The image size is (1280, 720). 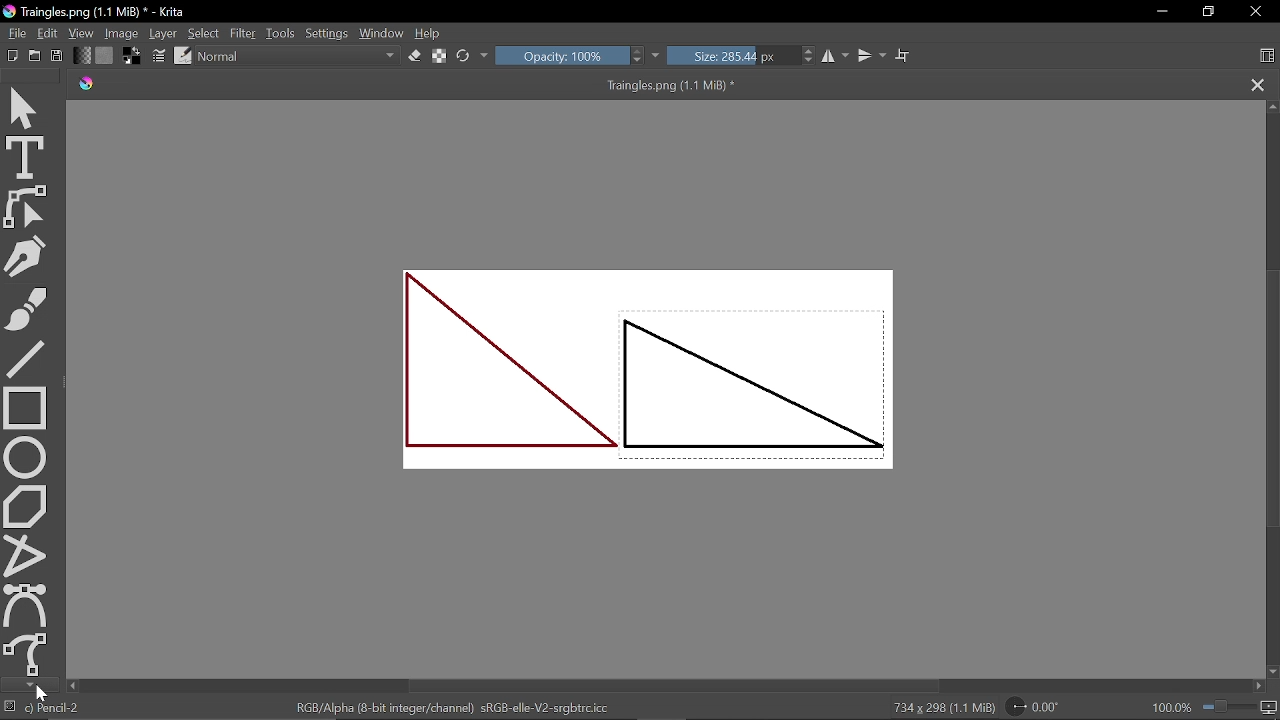 What do you see at coordinates (105, 56) in the screenshot?
I see `Fill pattern` at bounding box center [105, 56].